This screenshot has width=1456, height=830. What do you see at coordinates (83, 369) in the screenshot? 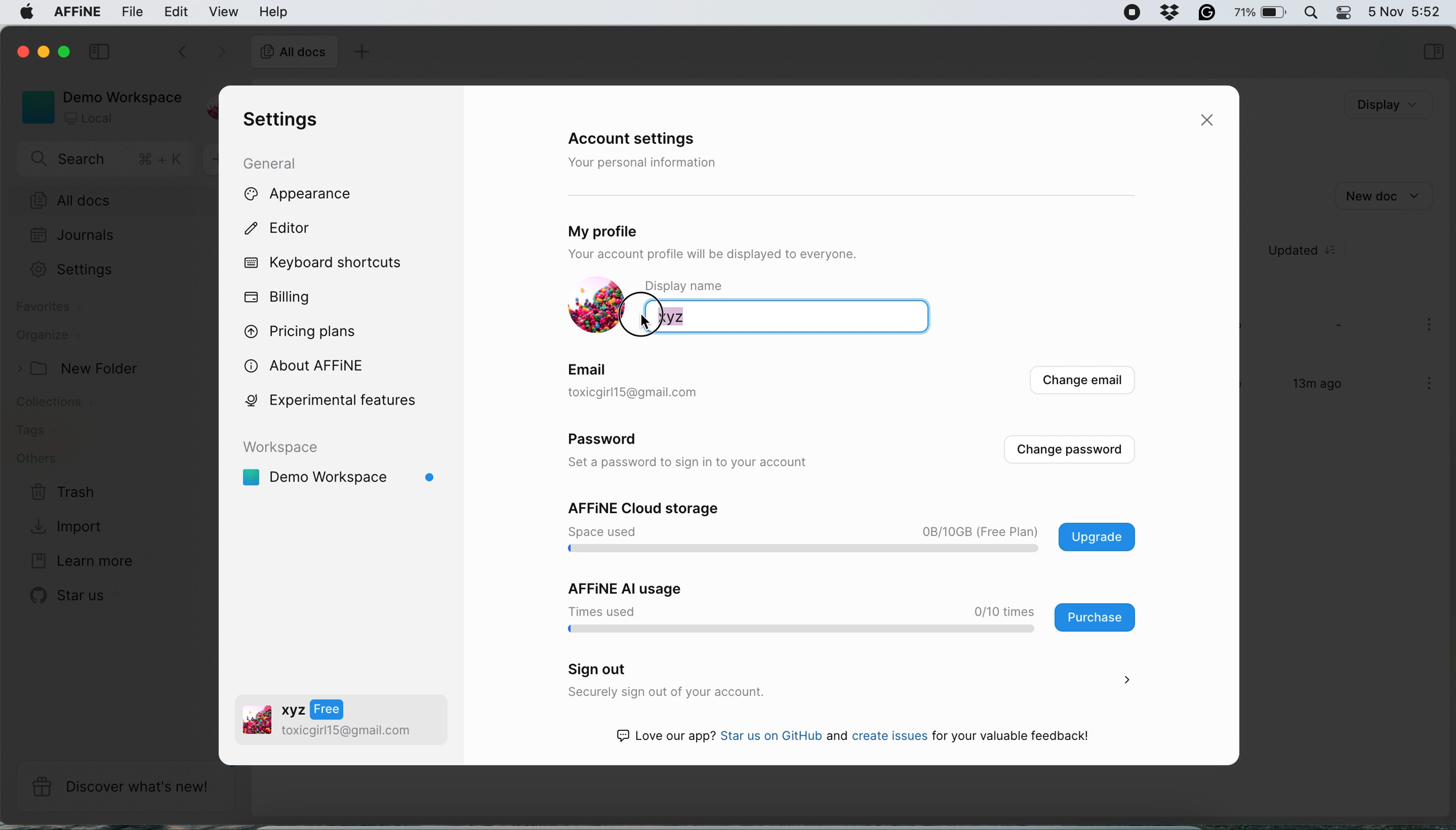
I see `new folder` at bounding box center [83, 369].